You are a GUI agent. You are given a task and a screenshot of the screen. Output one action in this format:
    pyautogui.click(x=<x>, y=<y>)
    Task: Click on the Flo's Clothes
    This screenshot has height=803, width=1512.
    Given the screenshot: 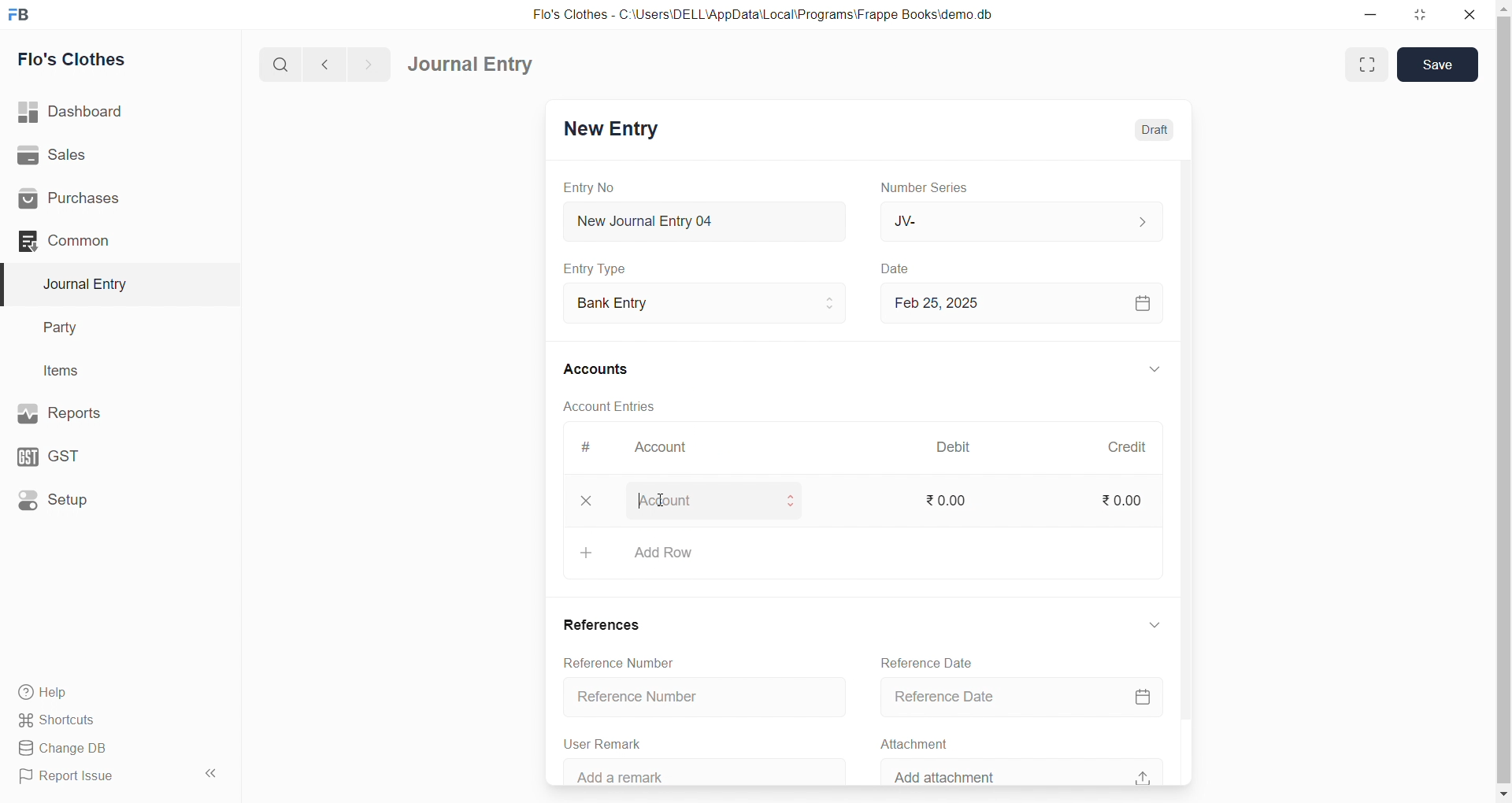 What is the action you would take?
    pyautogui.click(x=113, y=60)
    